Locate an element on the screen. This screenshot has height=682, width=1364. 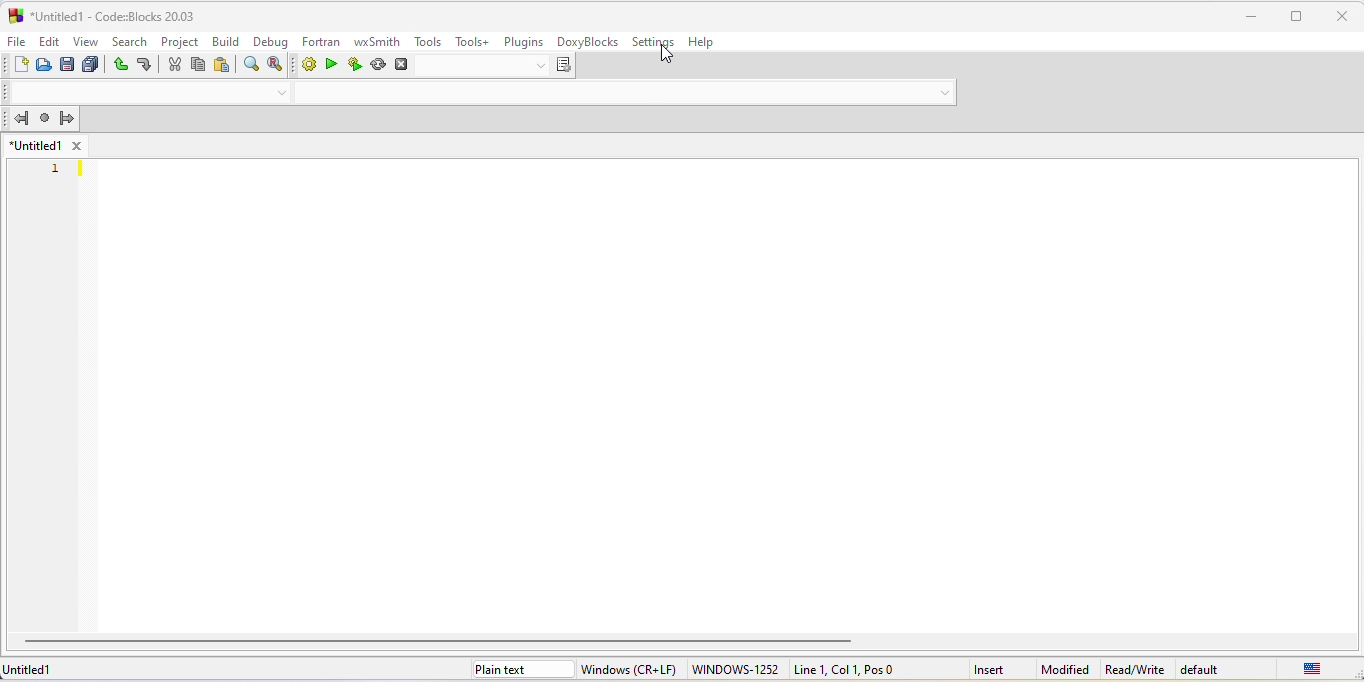
search is located at coordinates (130, 41).